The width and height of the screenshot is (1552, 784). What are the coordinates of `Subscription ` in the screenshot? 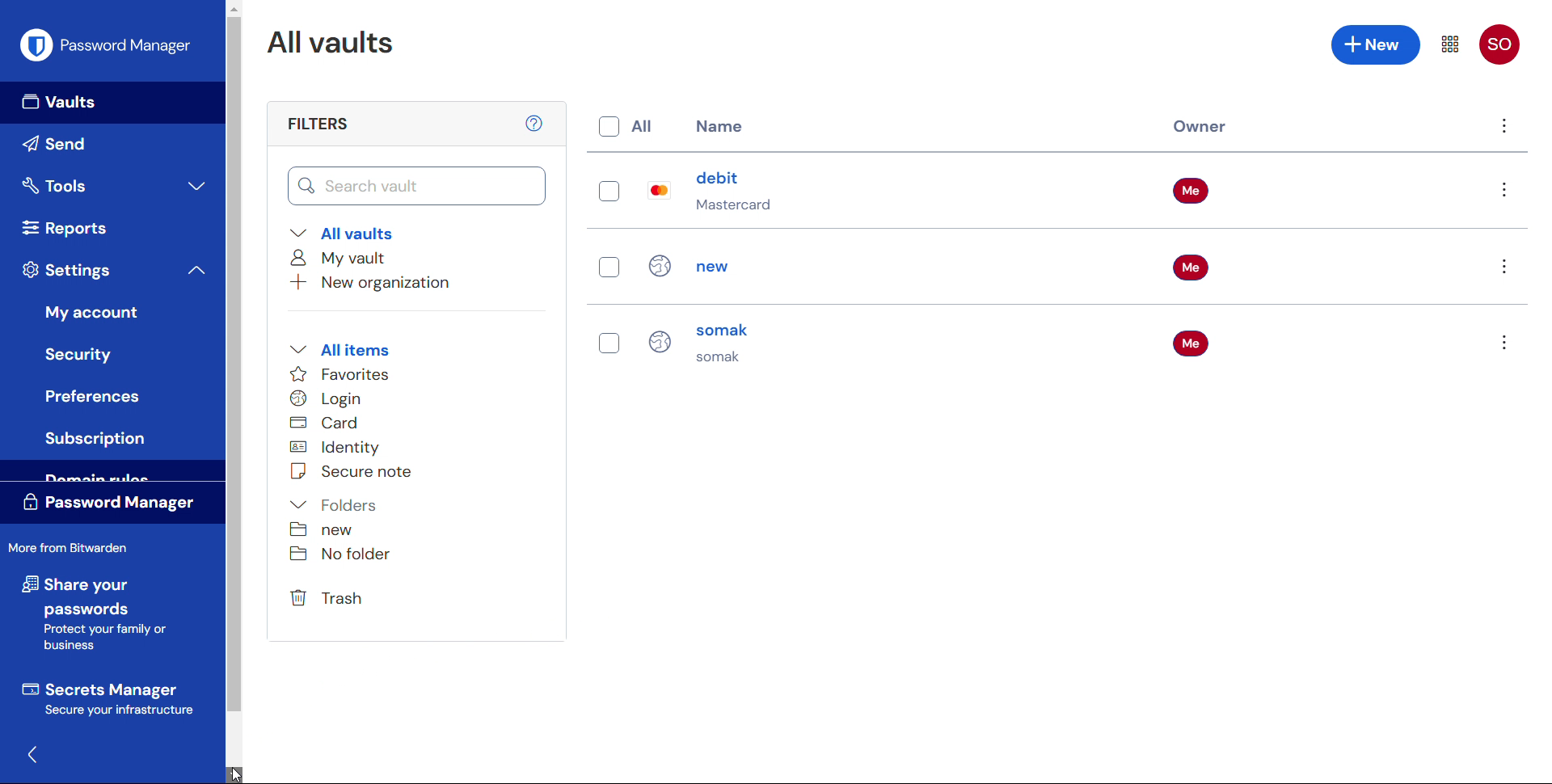 It's located at (95, 439).